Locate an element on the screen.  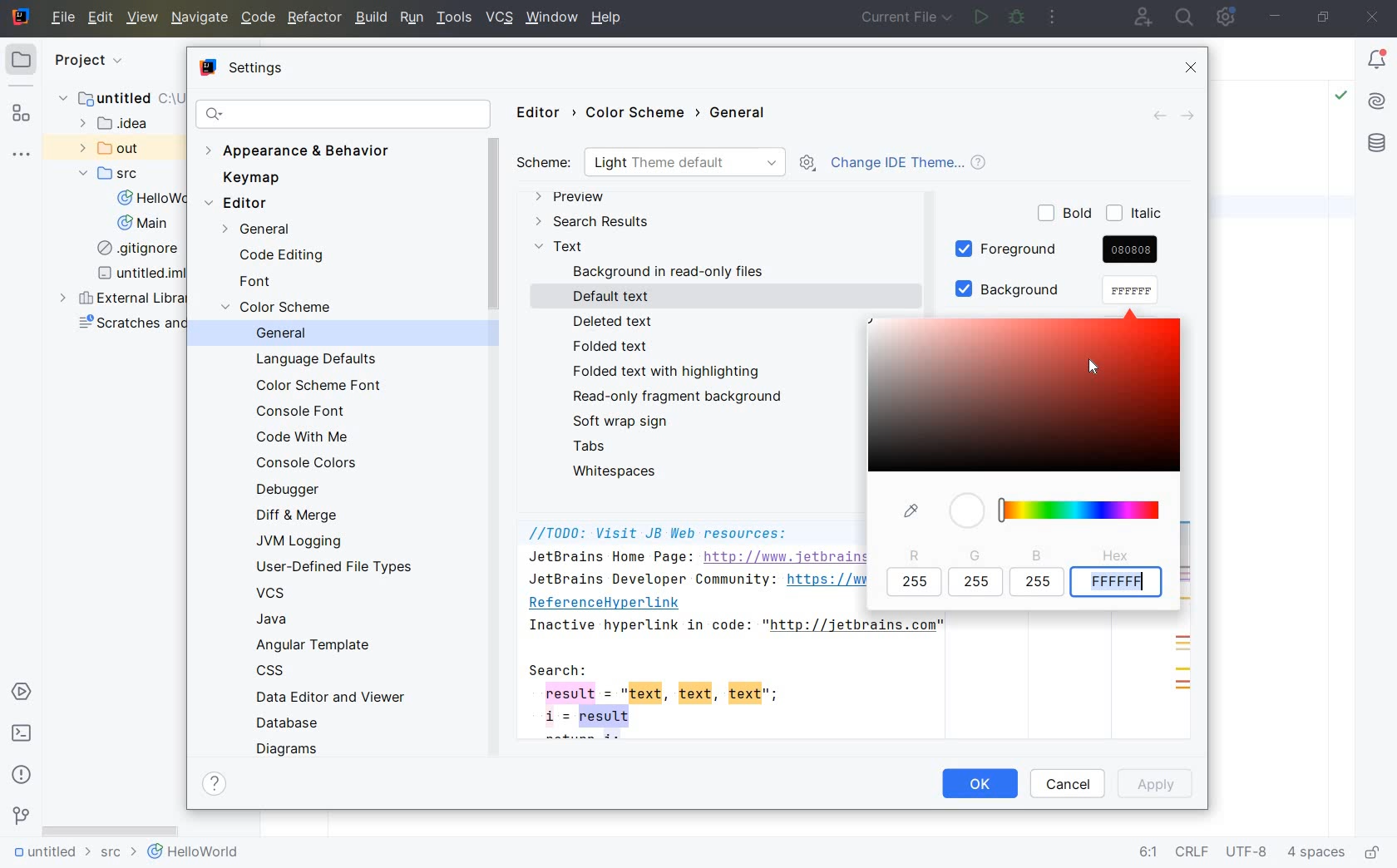
indent is located at coordinates (1316, 855).